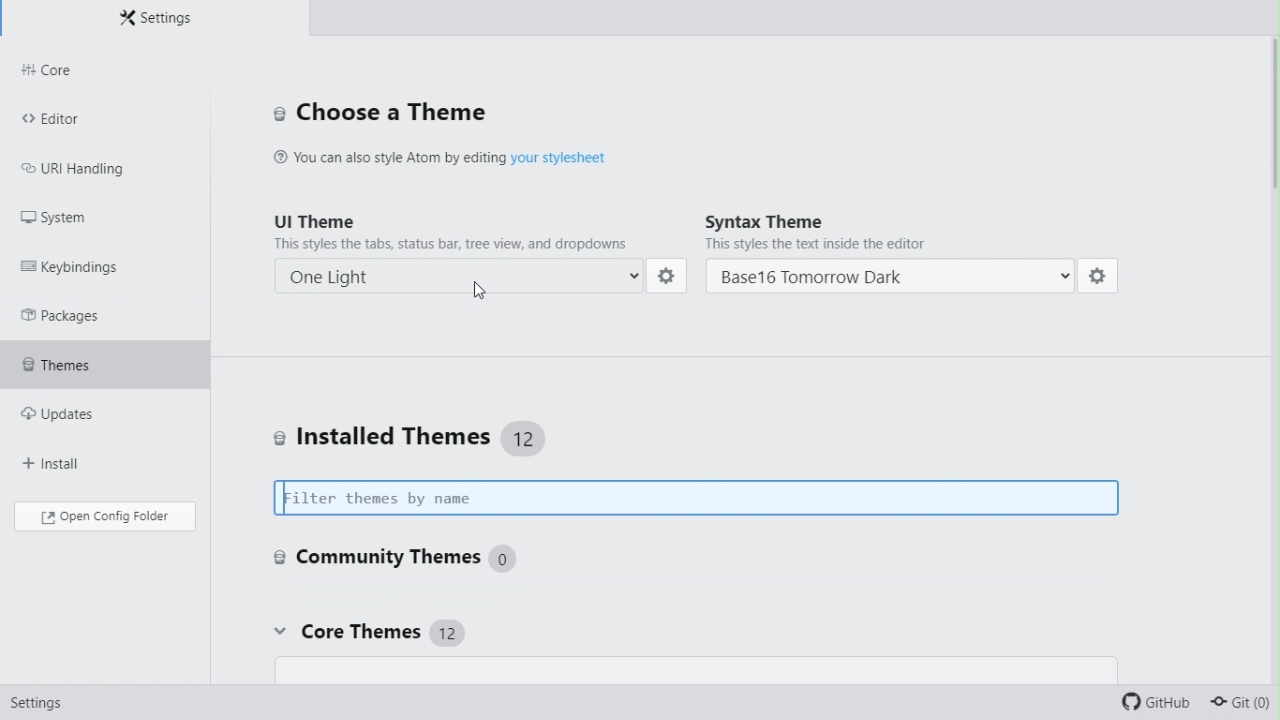  Describe the element at coordinates (105, 359) in the screenshot. I see `Themes` at that location.